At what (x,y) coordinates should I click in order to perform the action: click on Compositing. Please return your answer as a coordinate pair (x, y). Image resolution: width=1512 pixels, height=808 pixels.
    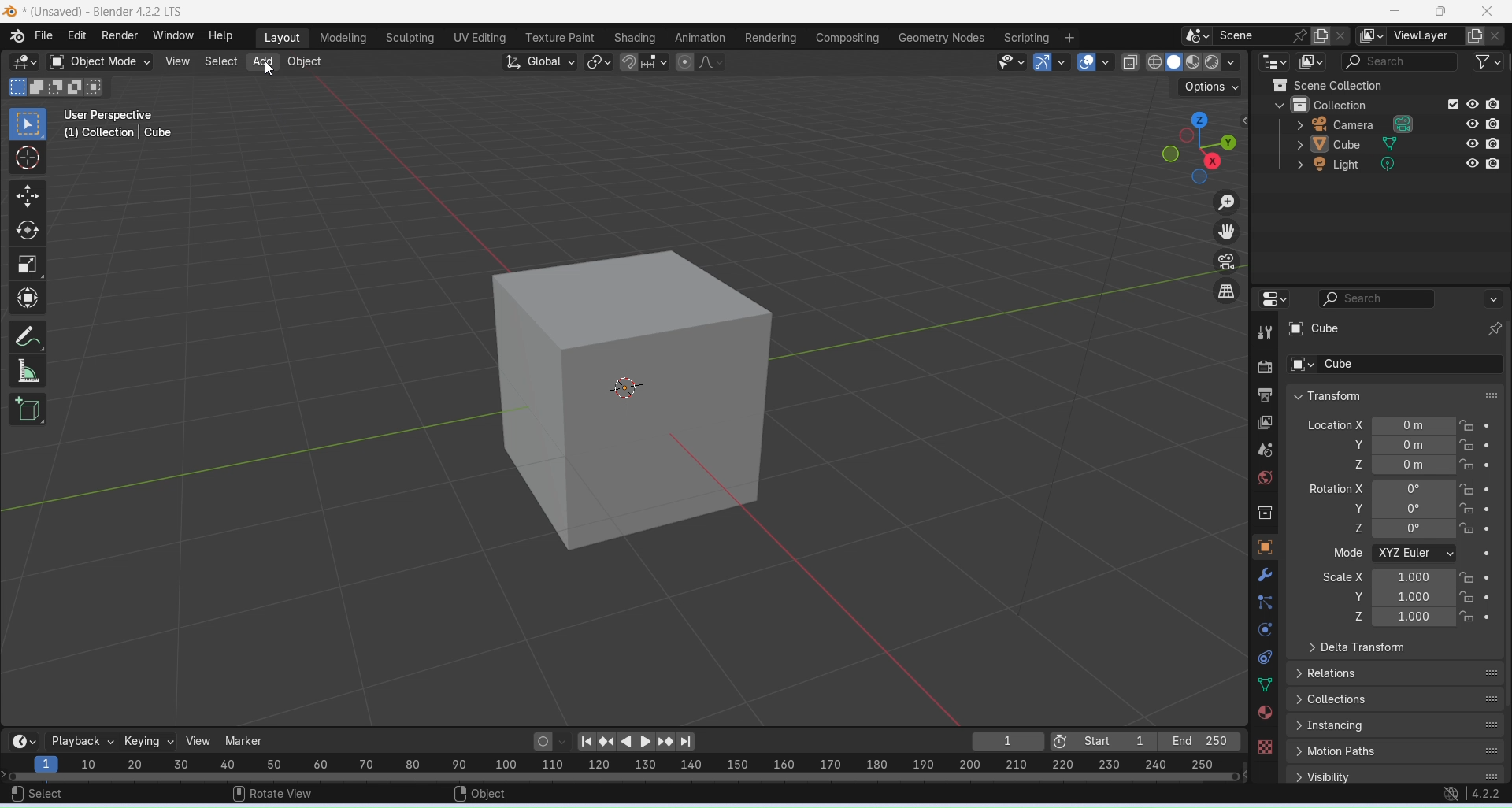
    Looking at the image, I should click on (847, 39).